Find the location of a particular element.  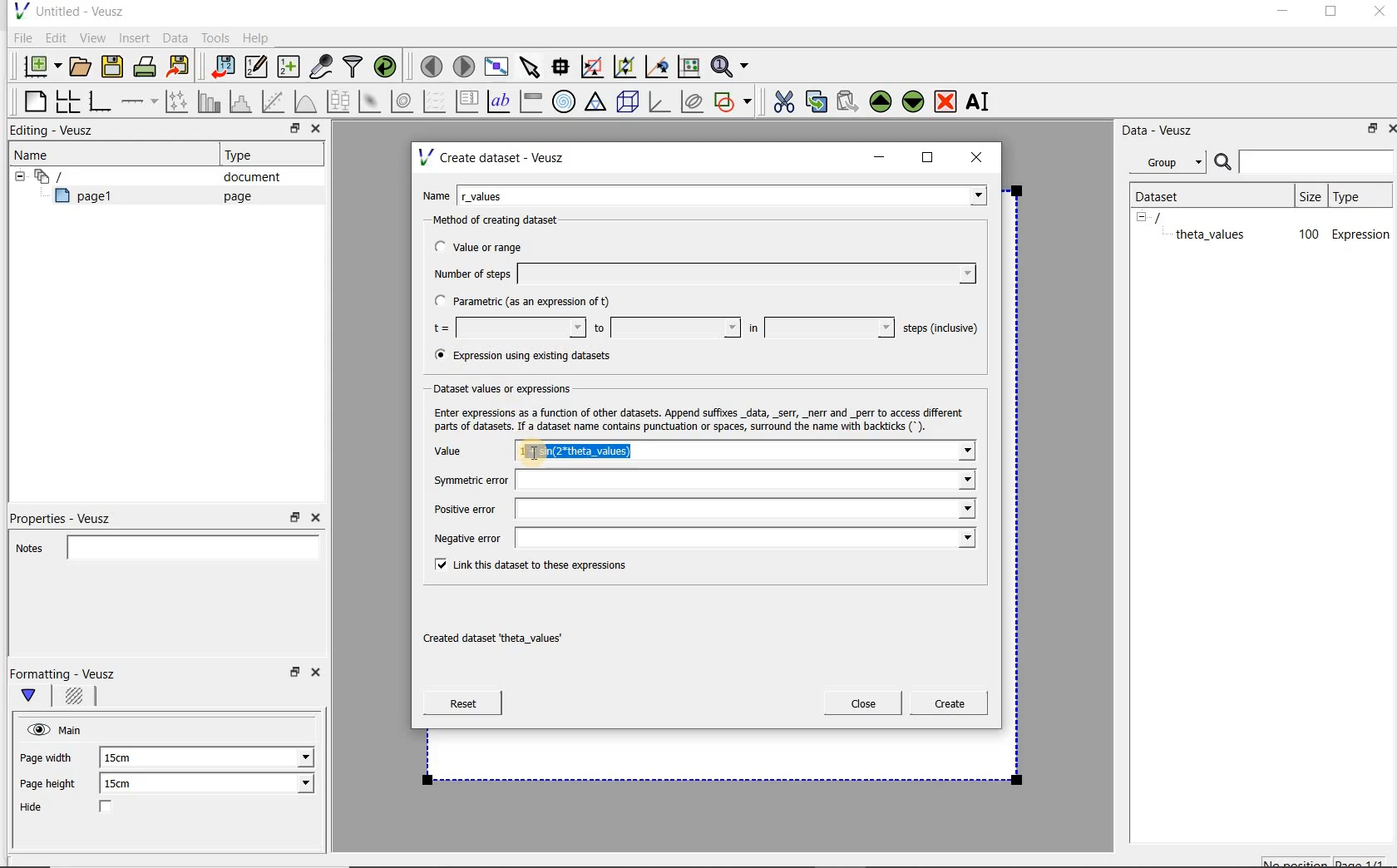

visible (click to hide, set Hide to true) is located at coordinates (36, 729).